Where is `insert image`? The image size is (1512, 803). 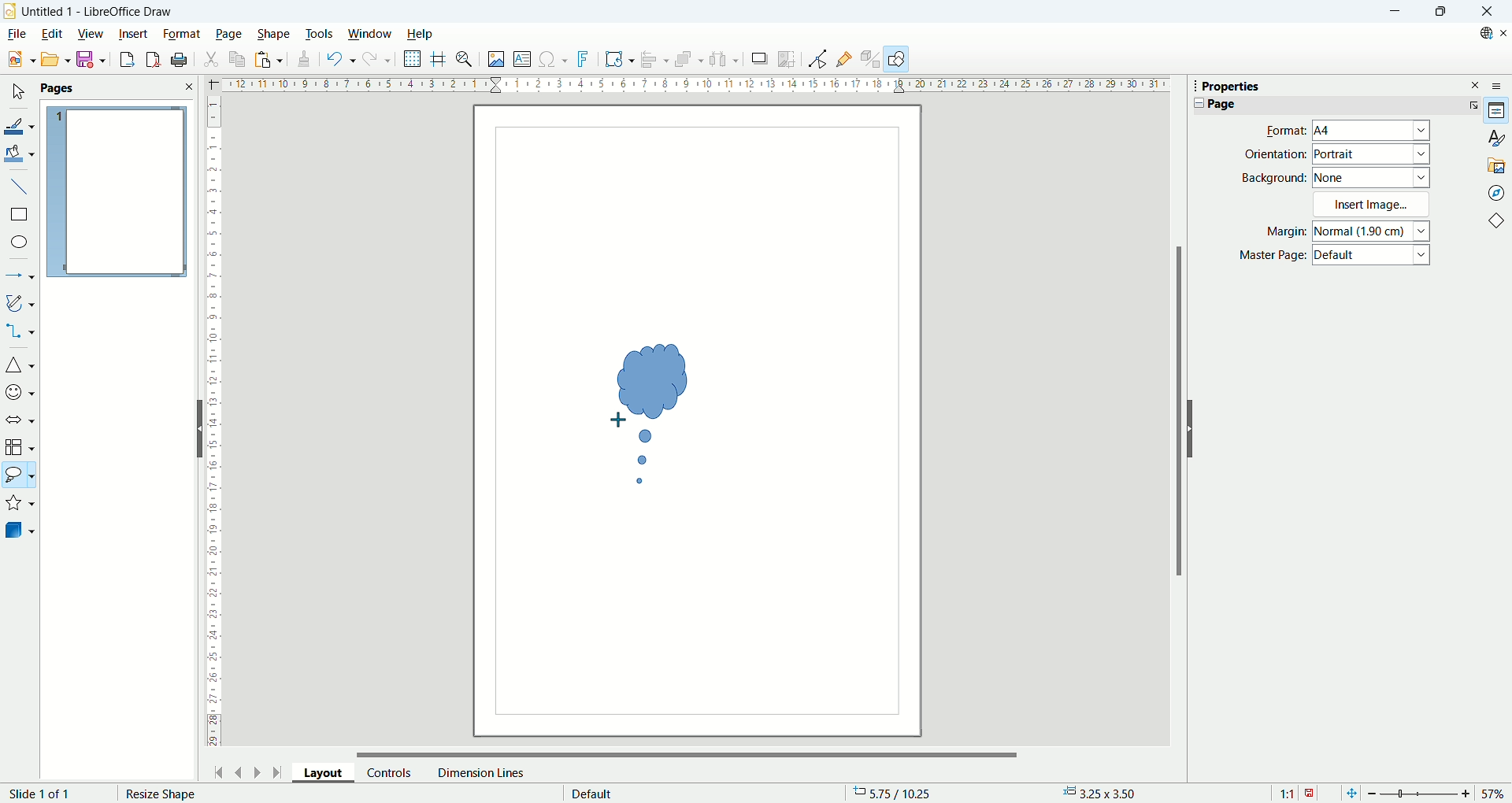
insert image is located at coordinates (495, 61).